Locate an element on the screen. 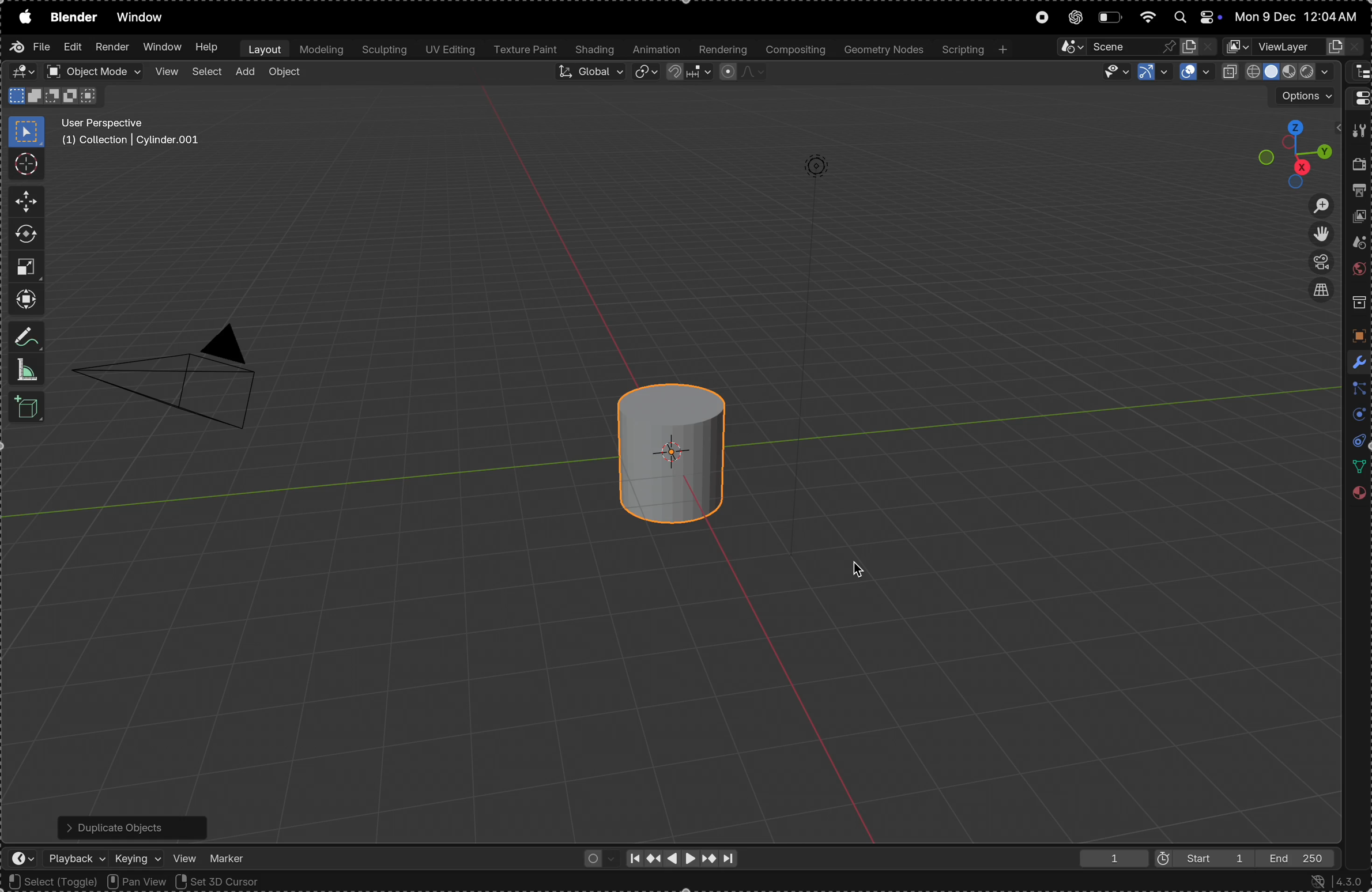 The height and width of the screenshot is (892, 1372). Edit is located at coordinates (70, 48).